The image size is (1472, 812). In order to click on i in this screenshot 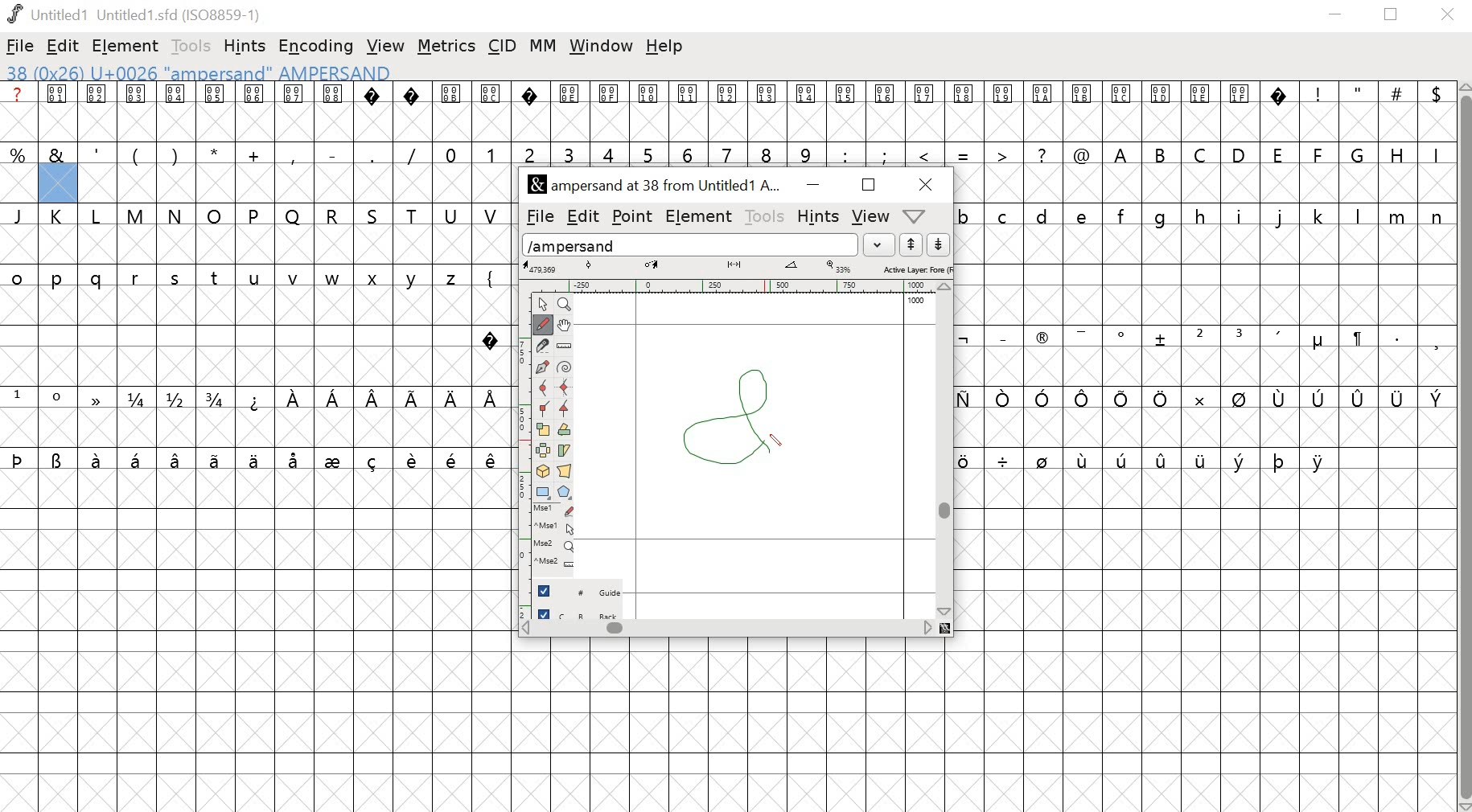, I will do `click(1240, 215)`.